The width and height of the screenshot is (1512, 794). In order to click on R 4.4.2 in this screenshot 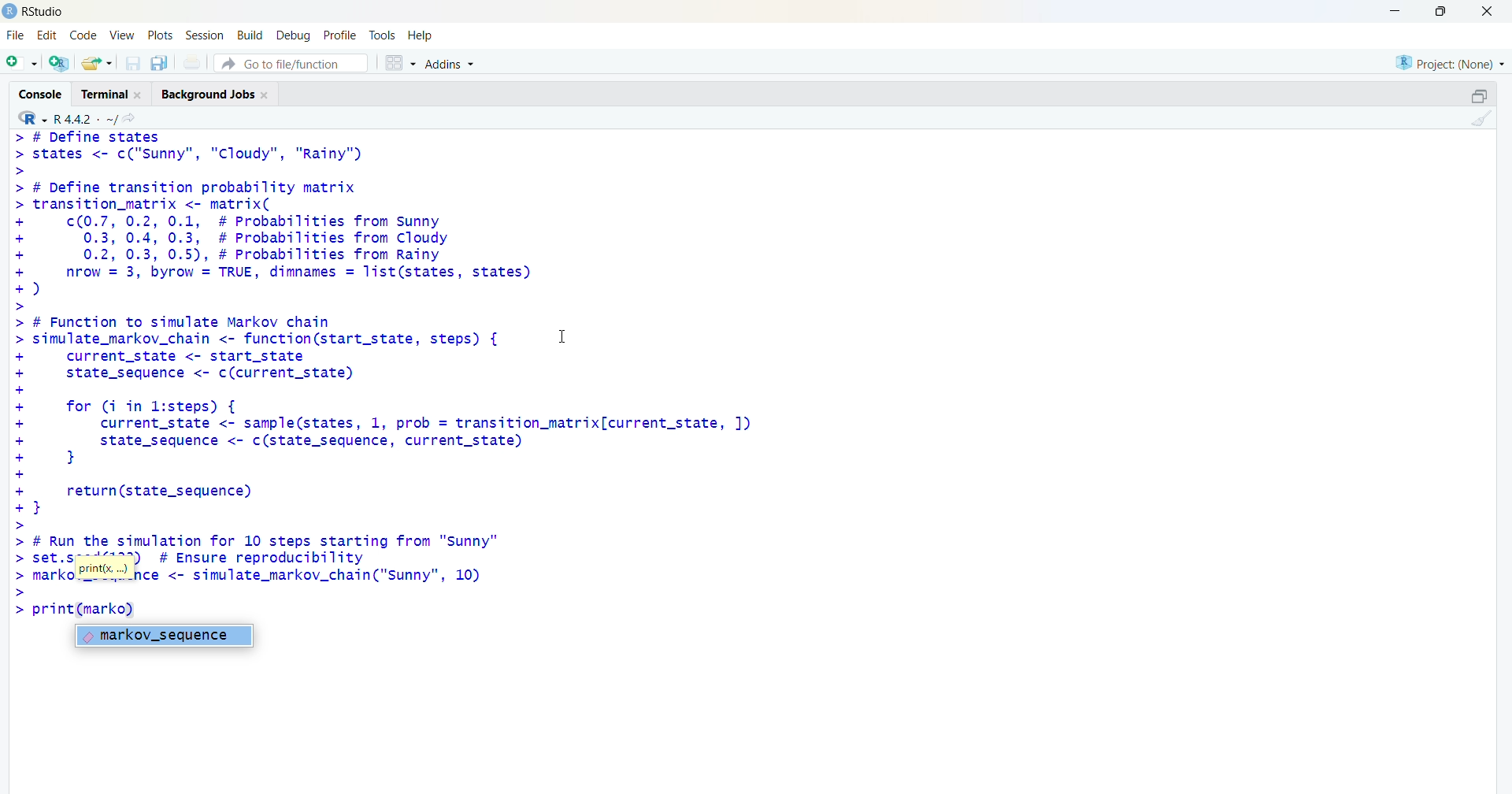, I will do `click(68, 117)`.